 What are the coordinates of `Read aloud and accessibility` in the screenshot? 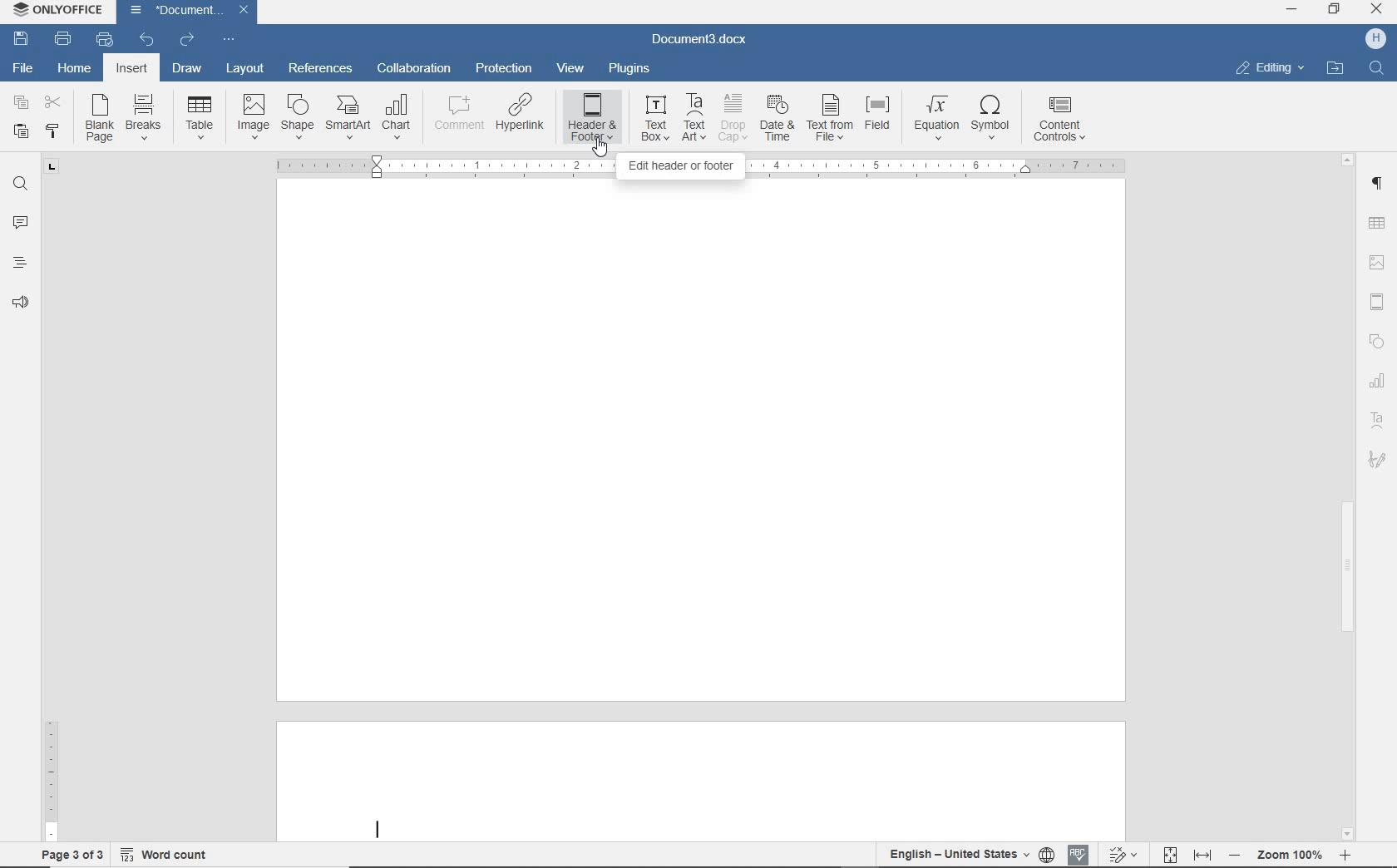 It's located at (22, 303).